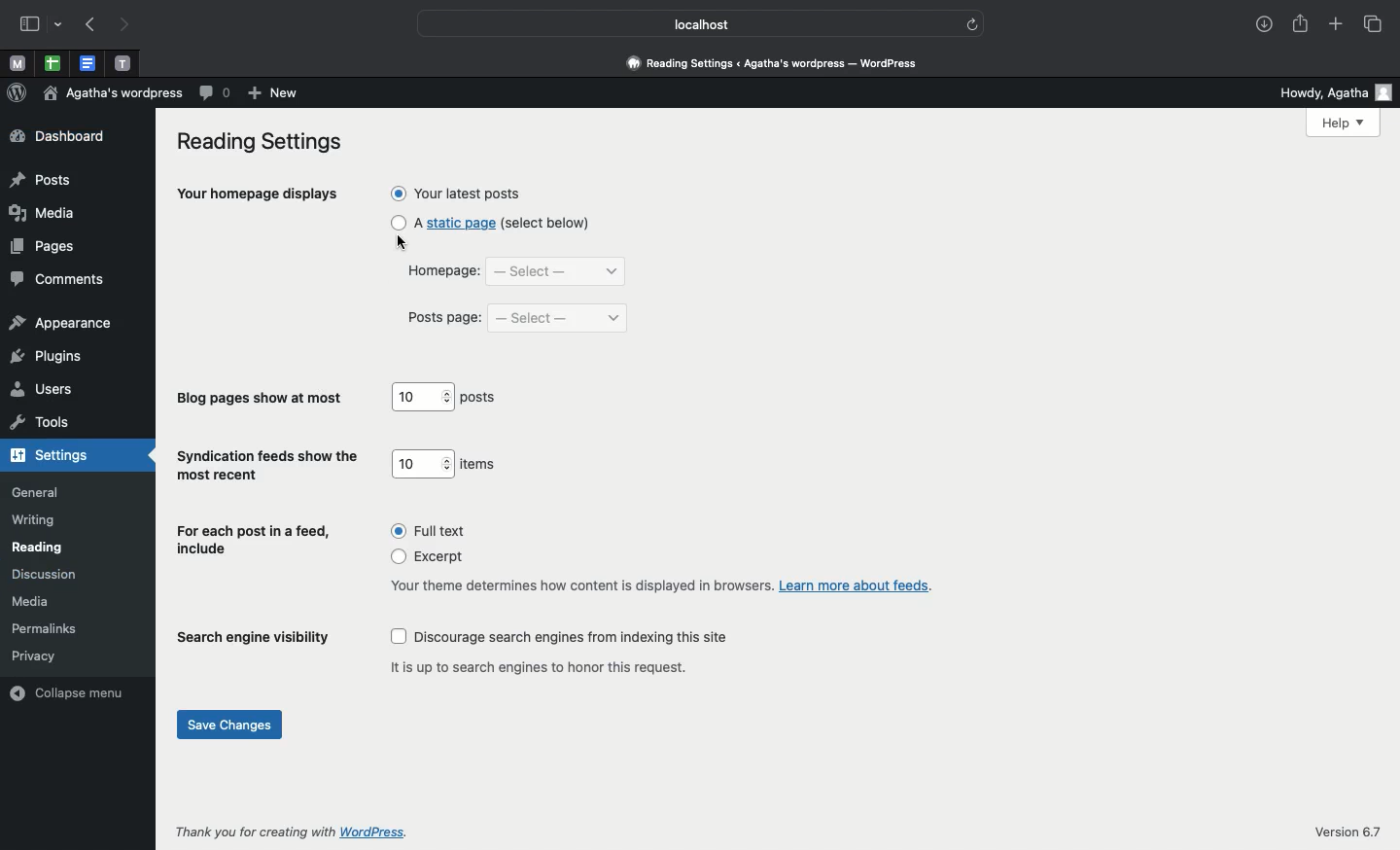  Describe the element at coordinates (1326, 91) in the screenshot. I see `Howdy user` at that location.